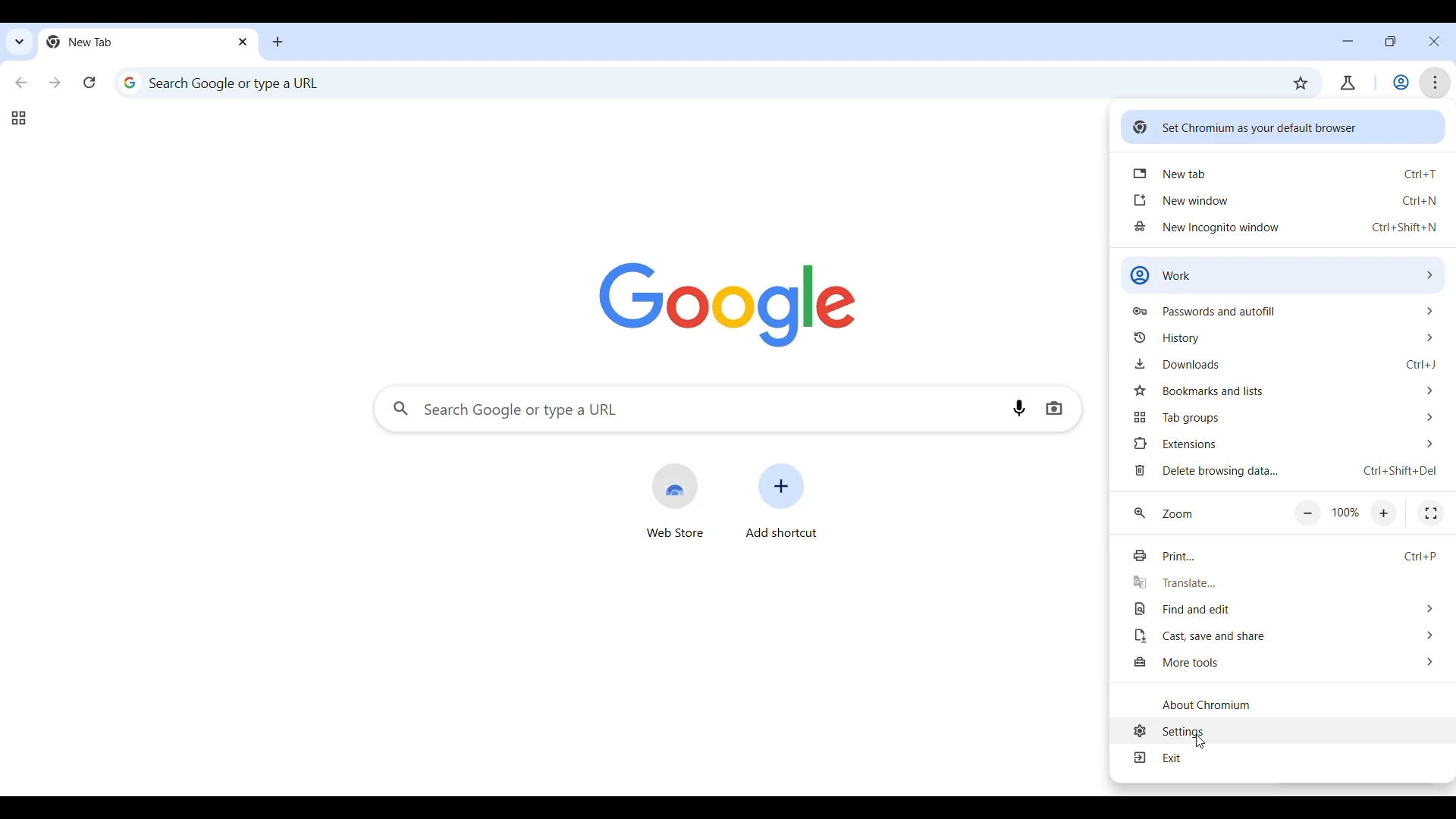  I want to click on Open a new tab, so click(278, 42).